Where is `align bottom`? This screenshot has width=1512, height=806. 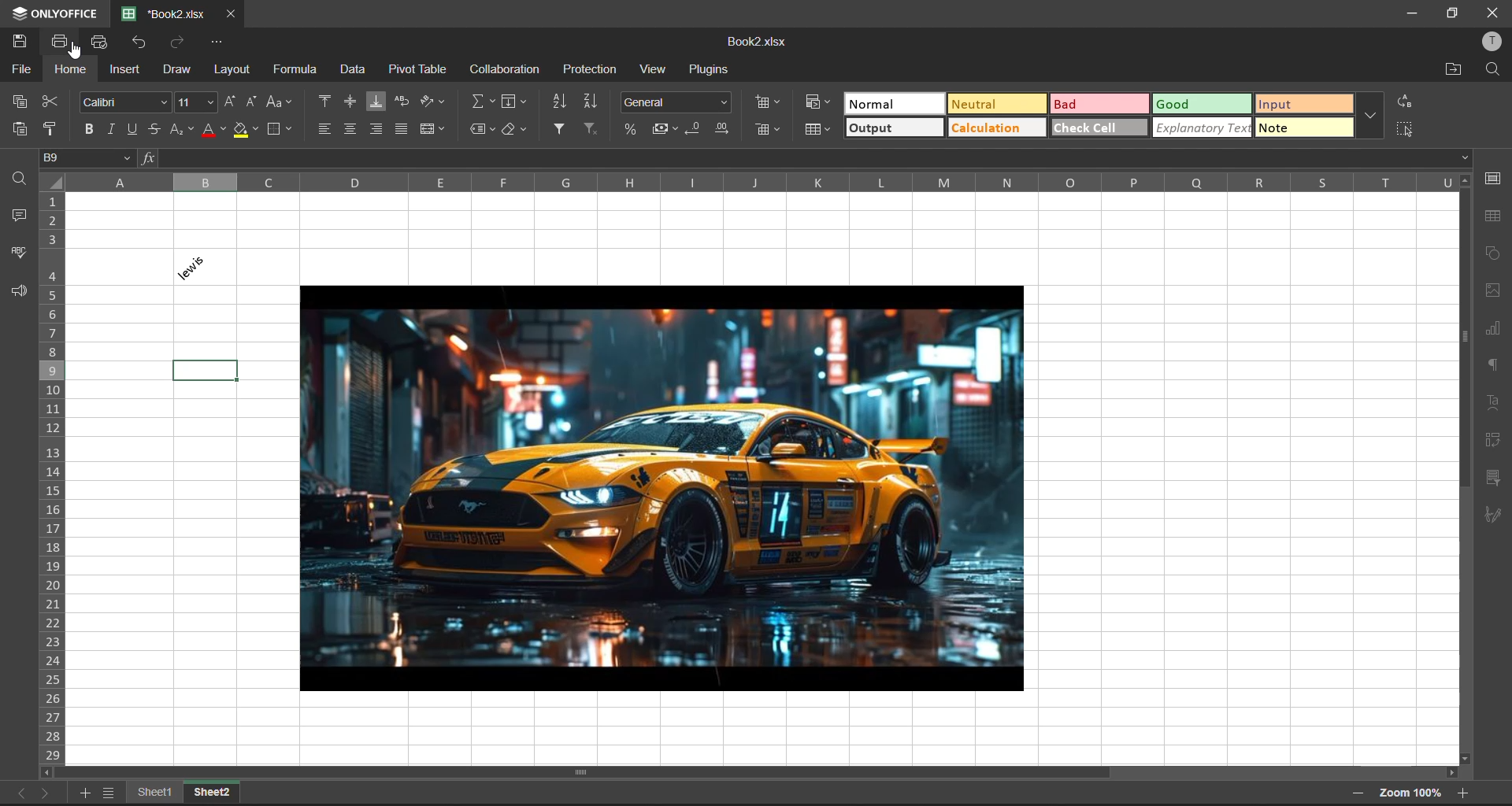 align bottom is located at coordinates (374, 100).